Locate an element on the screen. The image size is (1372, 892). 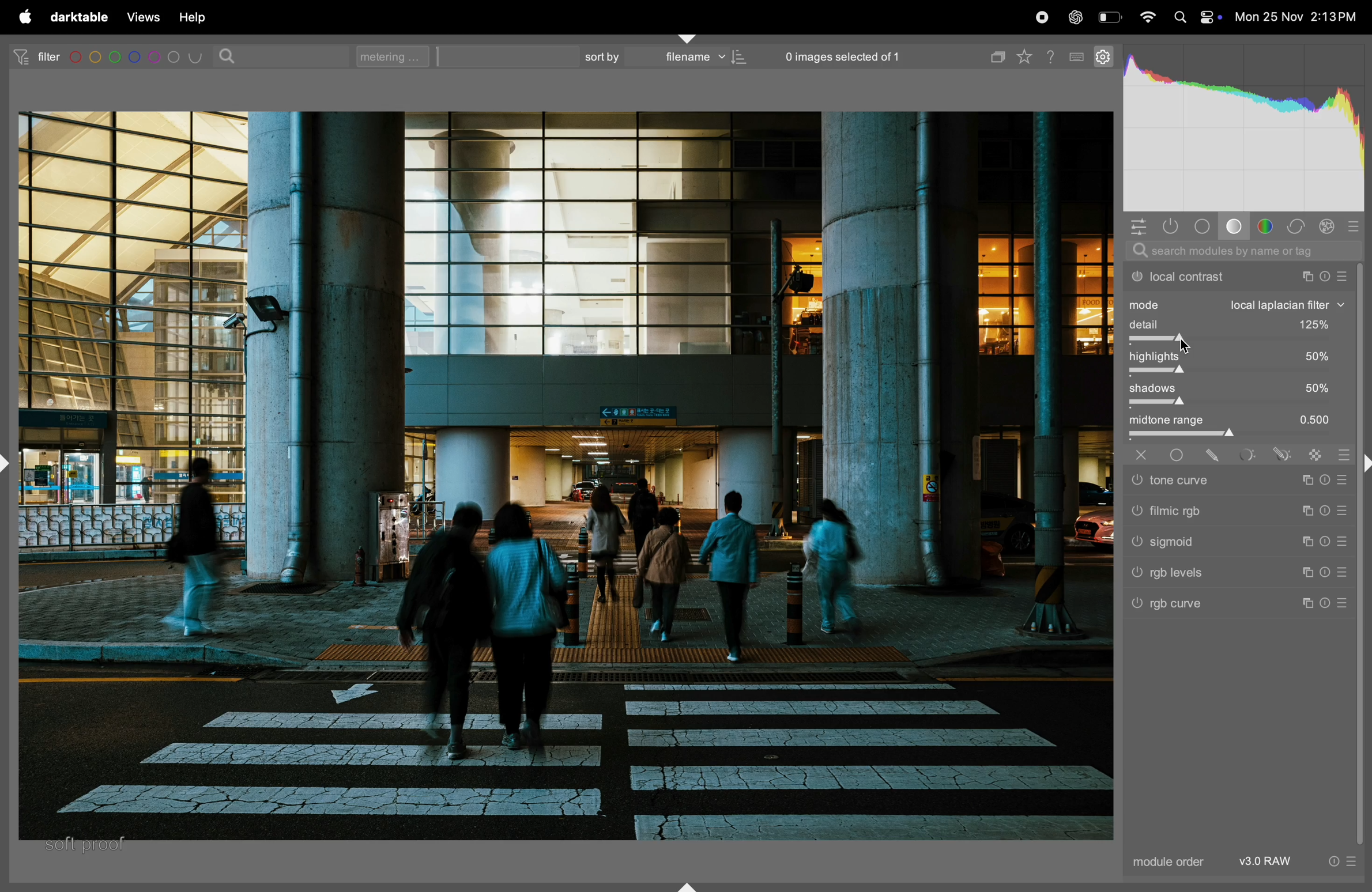
off is located at coordinates (1144, 455).